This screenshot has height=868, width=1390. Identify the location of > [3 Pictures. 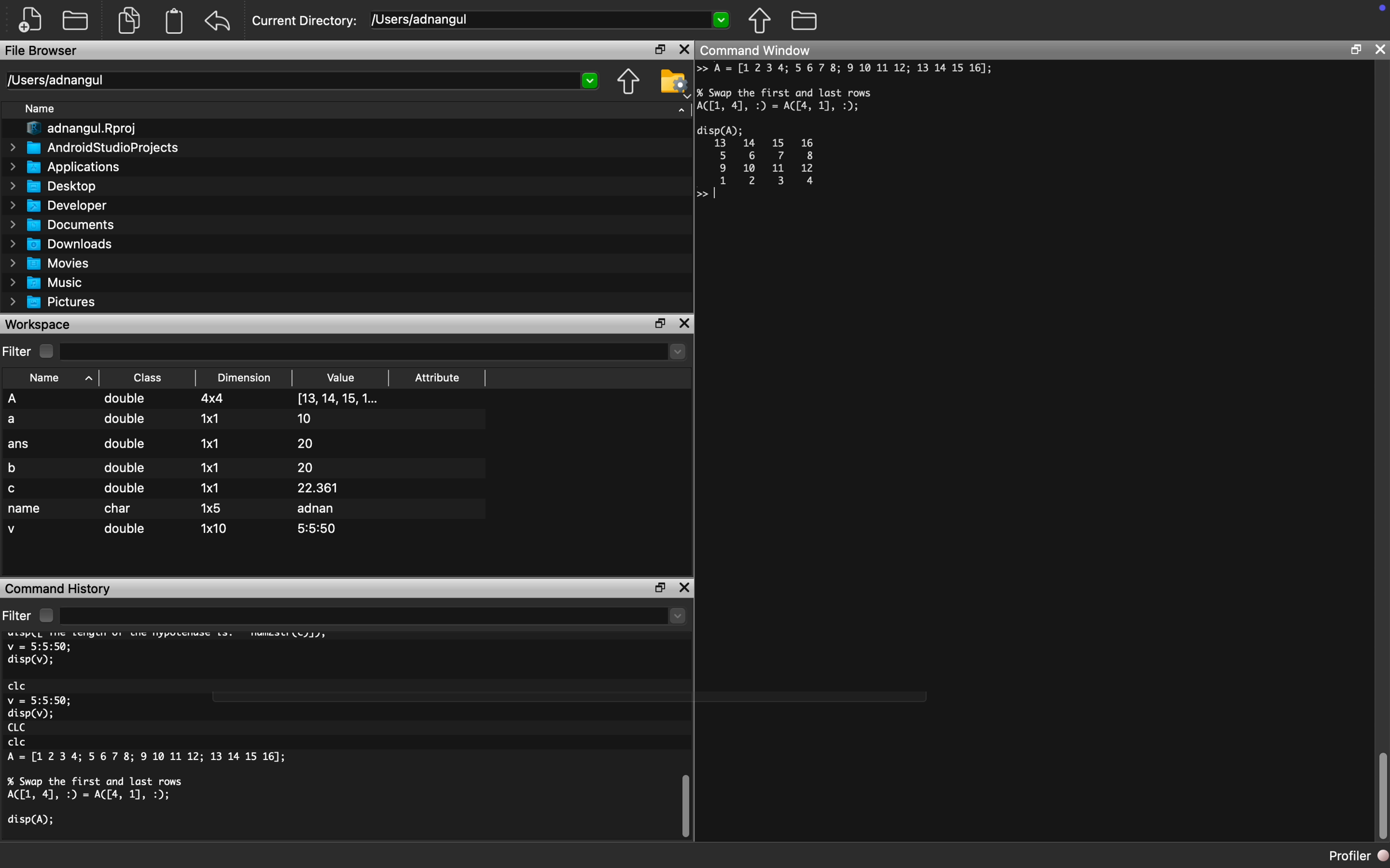
(56, 304).